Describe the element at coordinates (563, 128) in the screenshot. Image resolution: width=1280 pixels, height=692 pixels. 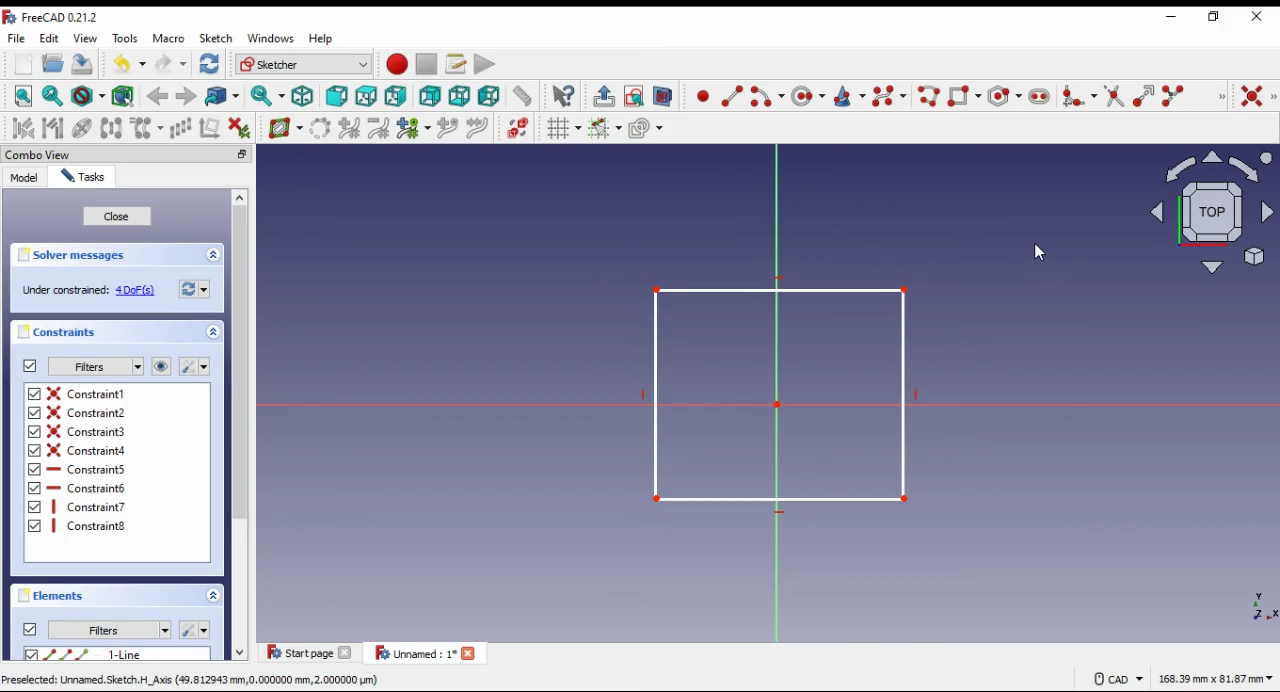
I see `toggle grid` at that location.